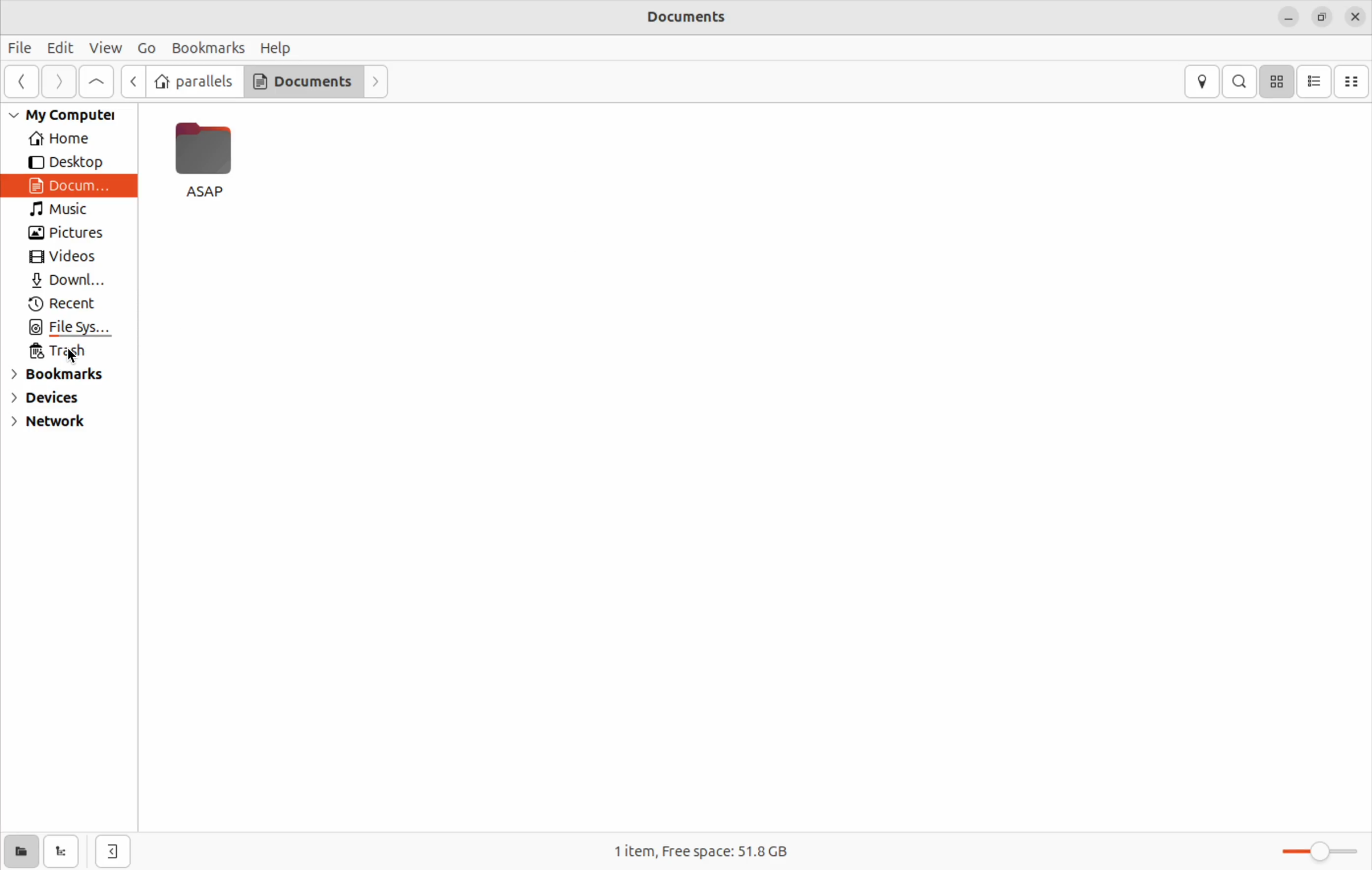 This screenshot has width=1372, height=870. What do you see at coordinates (70, 186) in the screenshot?
I see `Document` at bounding box center [70, 186].